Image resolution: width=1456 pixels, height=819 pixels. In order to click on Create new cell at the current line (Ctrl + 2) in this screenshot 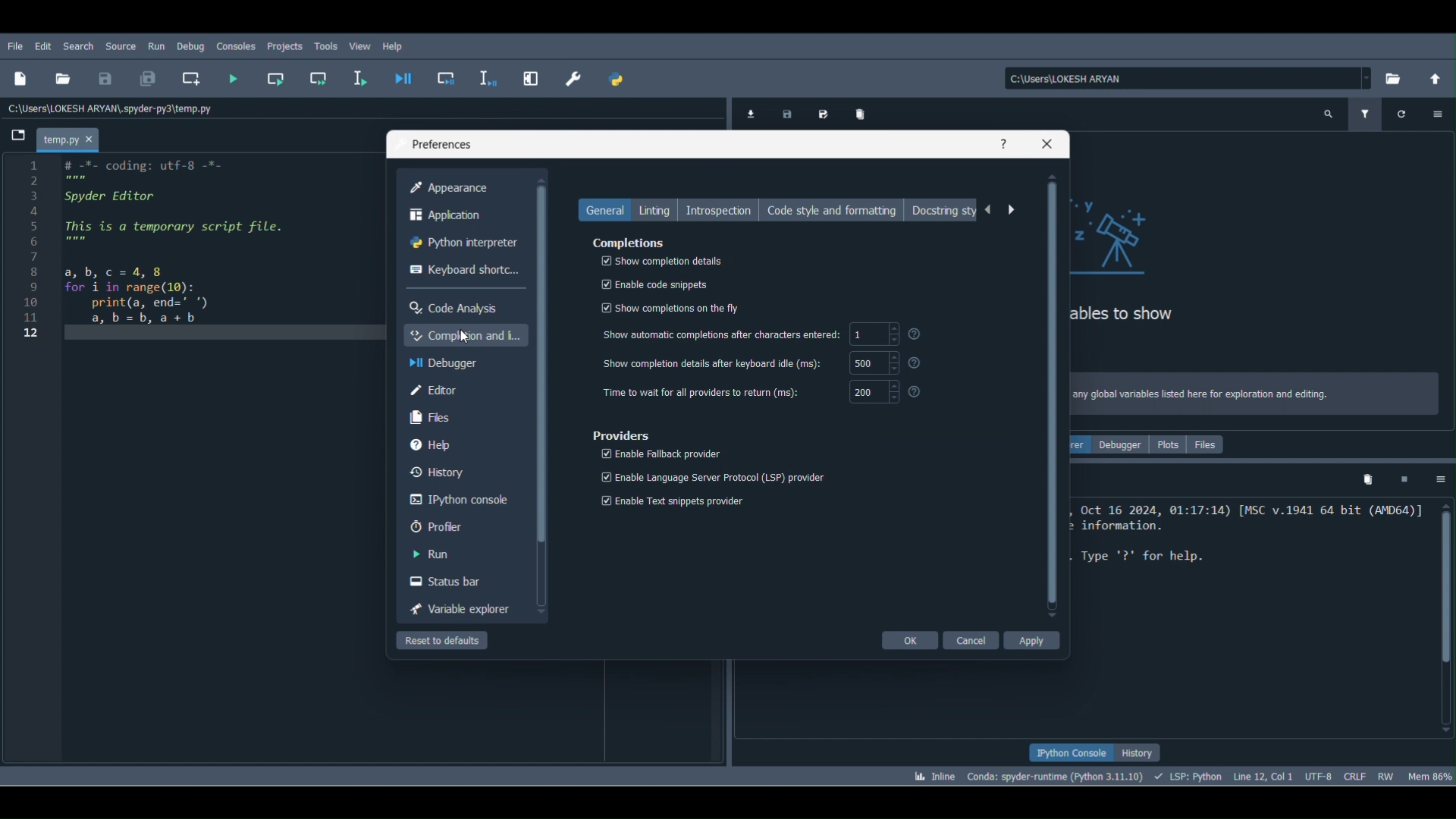, I will do `click(191, 78)`.